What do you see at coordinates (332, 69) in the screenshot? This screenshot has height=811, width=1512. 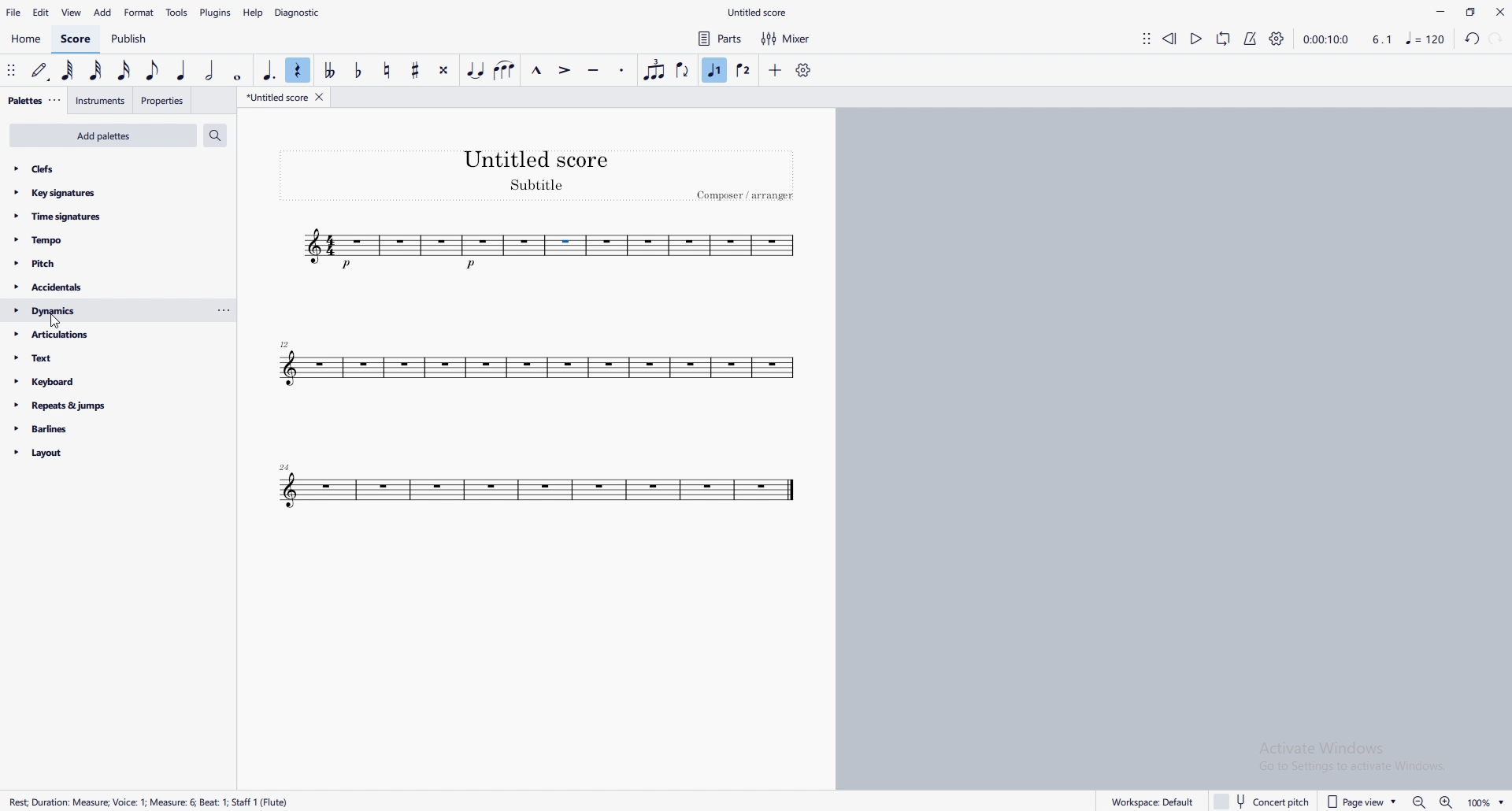 I see `toggle double flat` at bounding box center [332, 69].